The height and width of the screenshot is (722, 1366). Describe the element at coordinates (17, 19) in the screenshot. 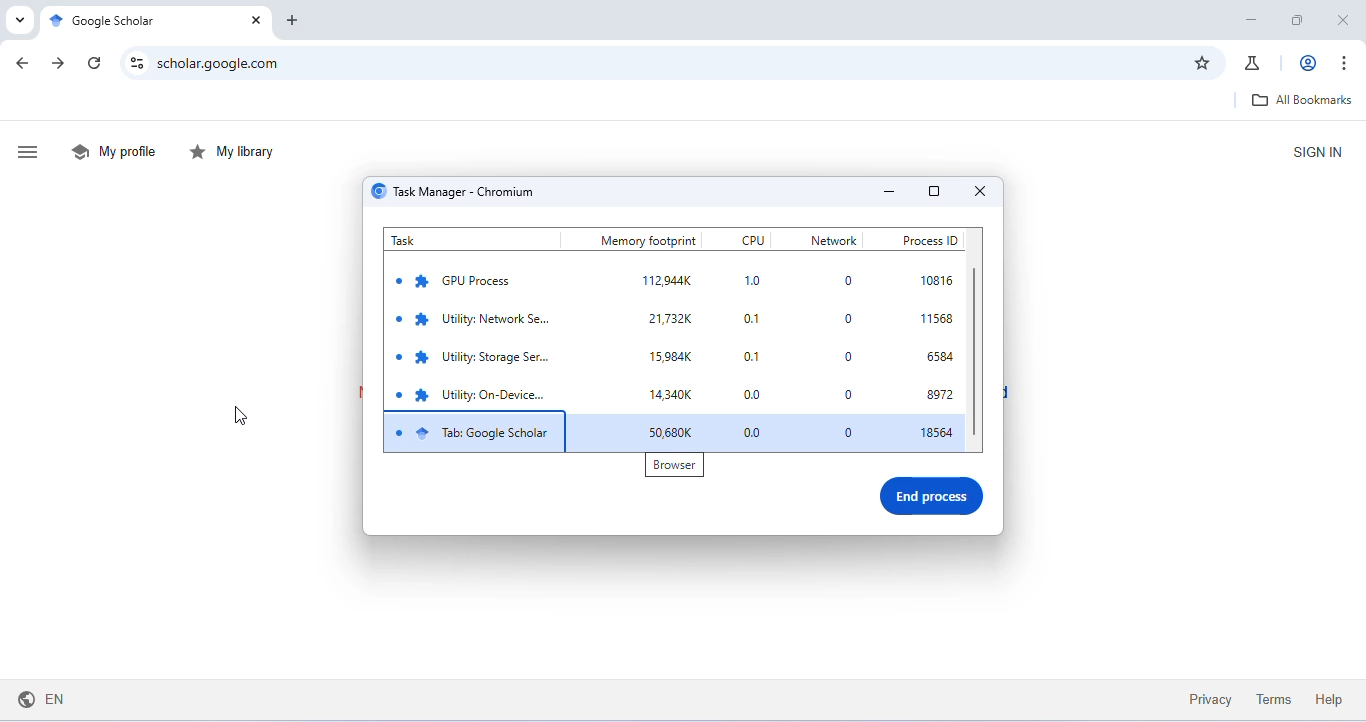

I see `search tabs` at that location.